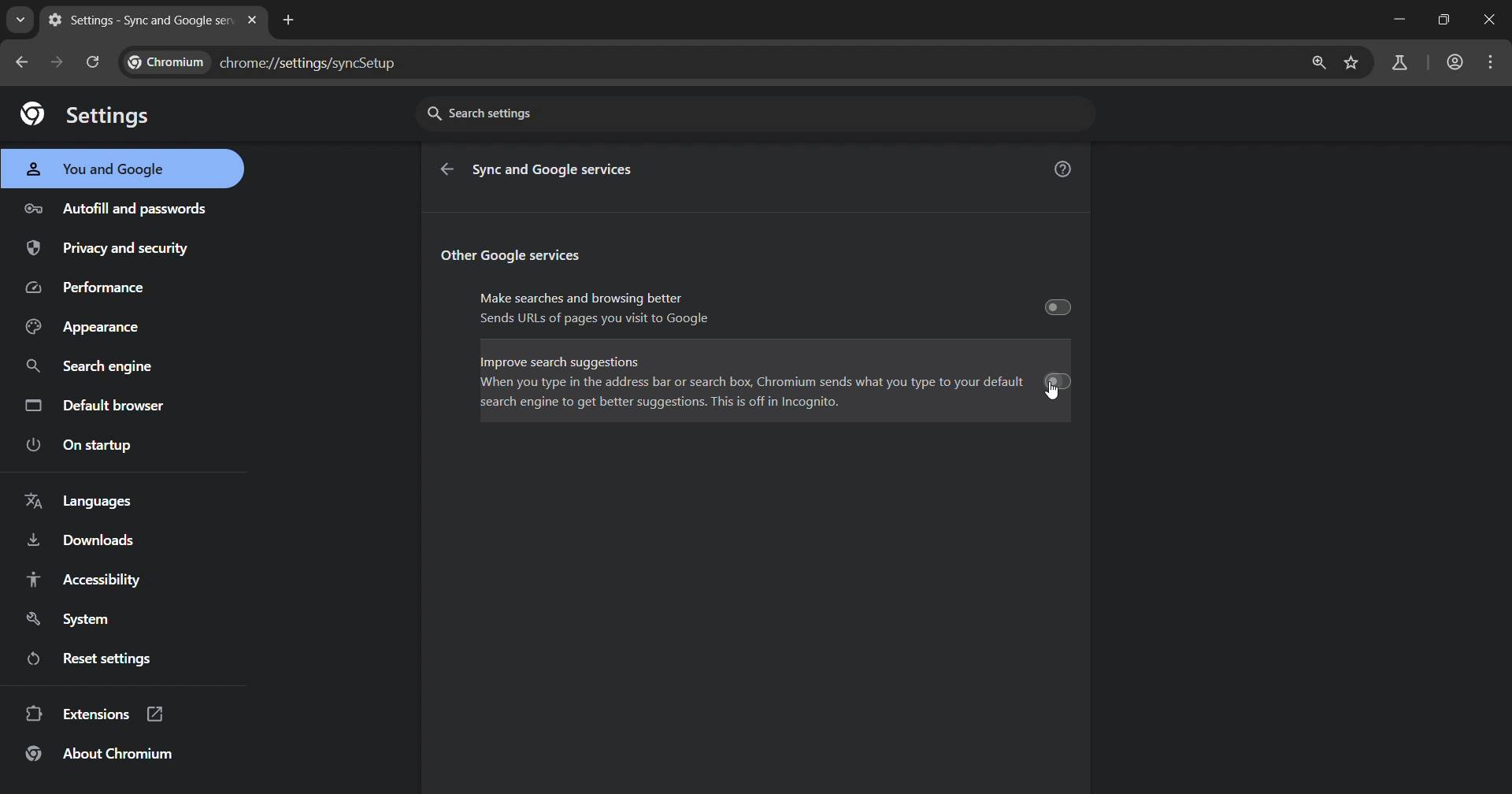 Image resolution: width=1512 pixels, height=794 pixels. Describe the element at coordinates (775, 380) in the screenshot. I see `Improve search suggestions
When you type in the address bar or search box, Chromium sends what you type to your default
search engine to get better suggestions. This is off in Incognito.` at that location.